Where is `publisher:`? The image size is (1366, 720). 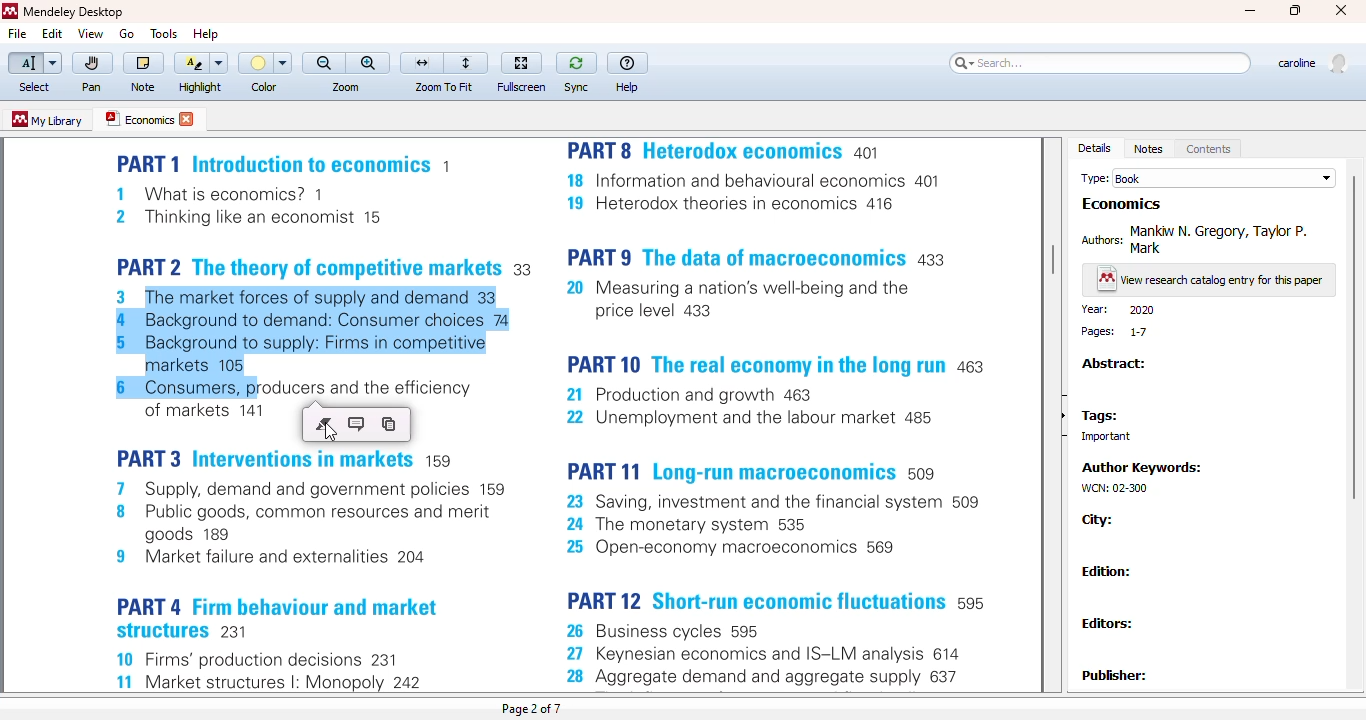
publisher: is located at coordinates (1115, 675).